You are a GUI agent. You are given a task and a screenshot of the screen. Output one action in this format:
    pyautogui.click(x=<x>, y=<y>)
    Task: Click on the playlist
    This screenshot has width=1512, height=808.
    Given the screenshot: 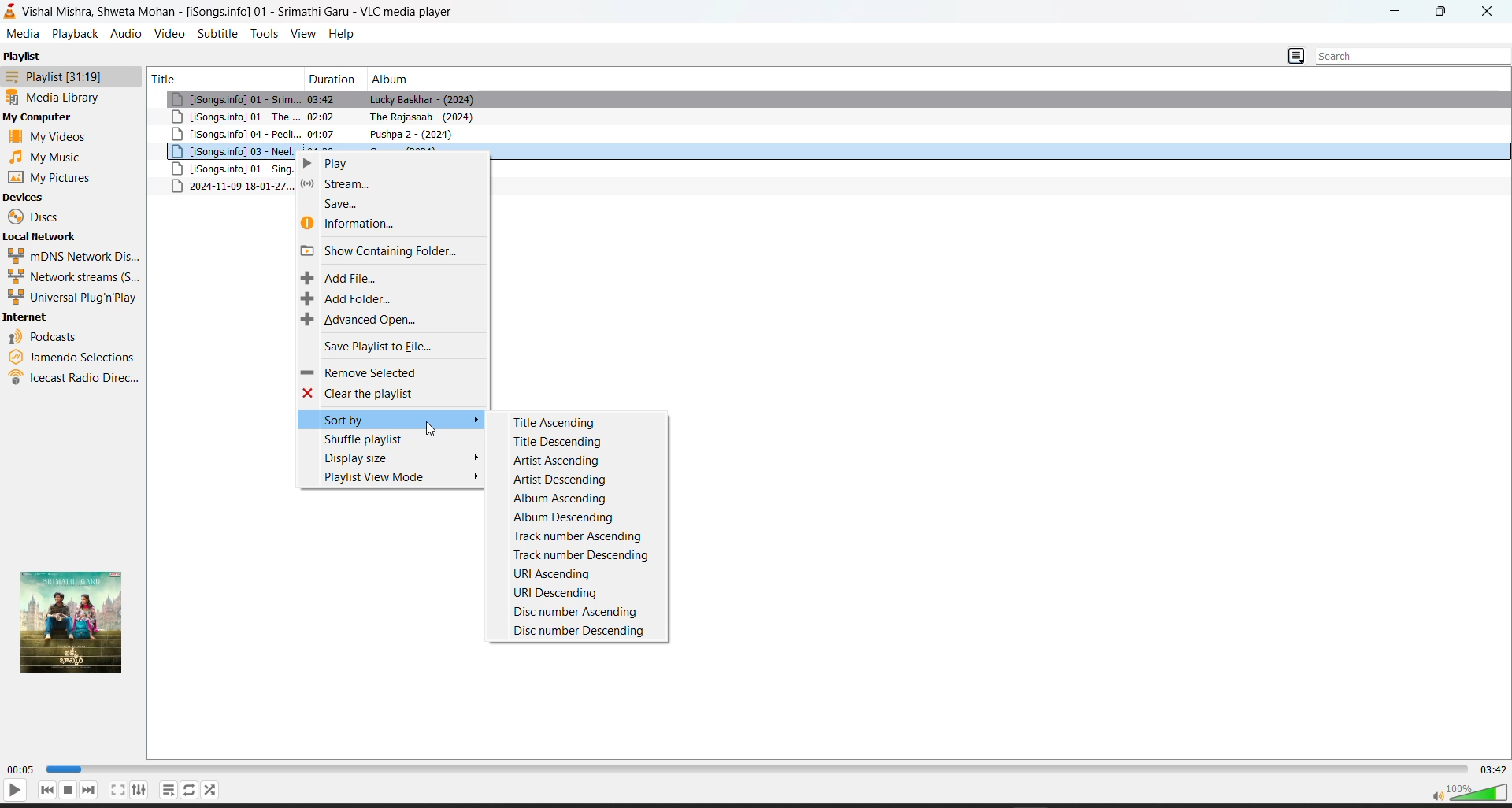 What is the action you would take?
    pyautogui.click(x=52, y=75)
    